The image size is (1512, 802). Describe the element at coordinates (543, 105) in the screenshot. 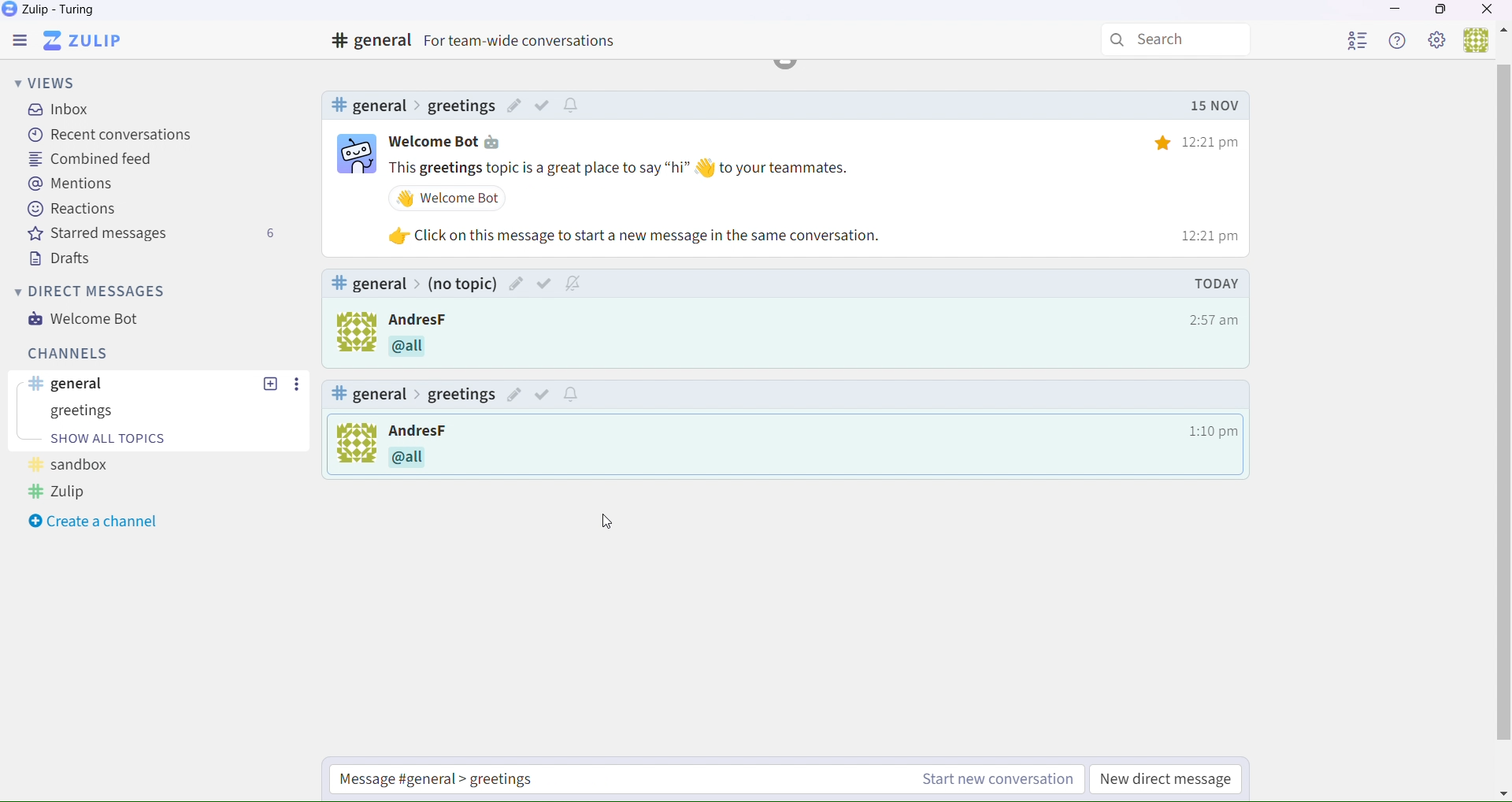

I see `` at that location.